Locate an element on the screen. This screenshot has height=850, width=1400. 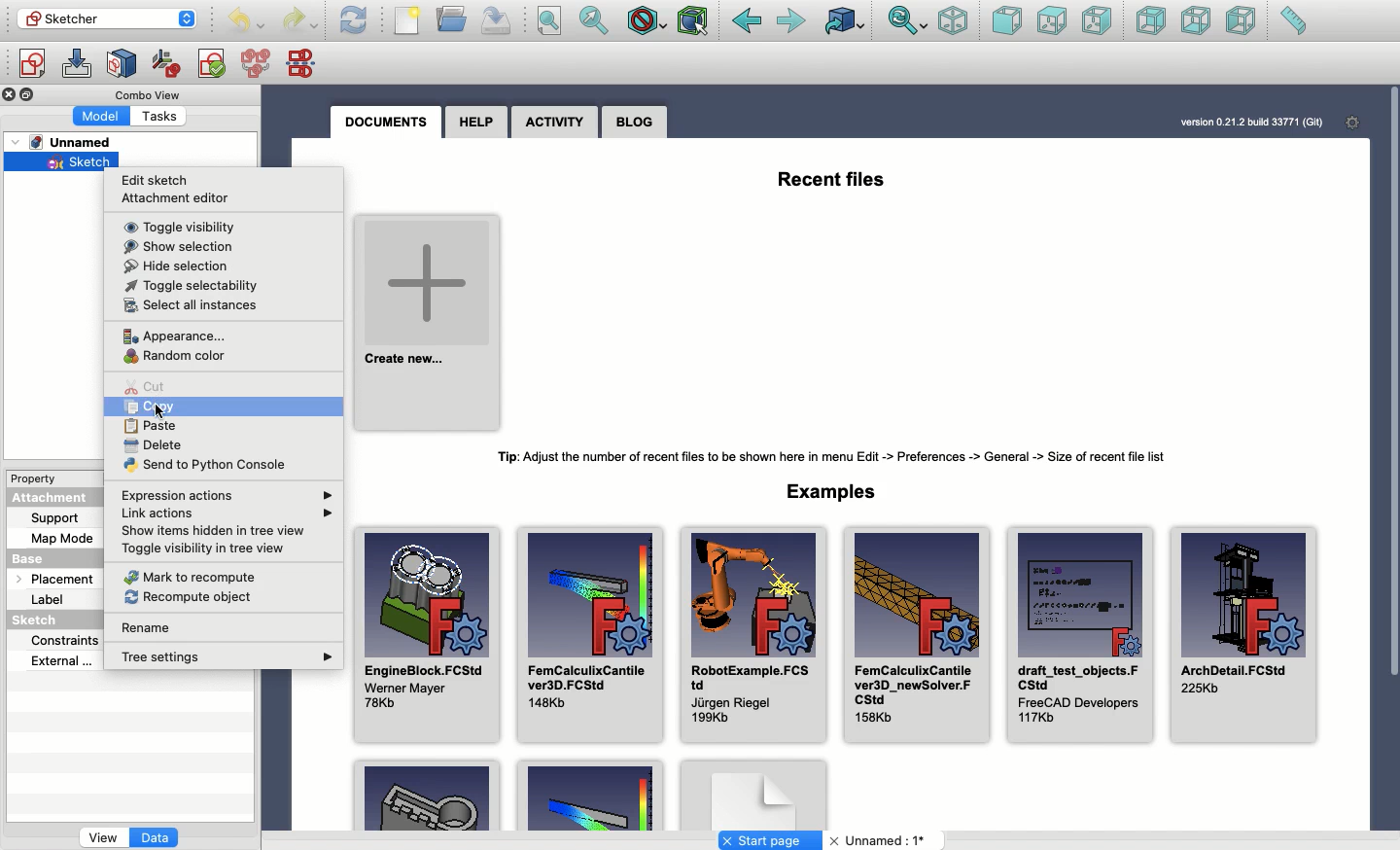
Sketch is located at coordinates (42, 621).